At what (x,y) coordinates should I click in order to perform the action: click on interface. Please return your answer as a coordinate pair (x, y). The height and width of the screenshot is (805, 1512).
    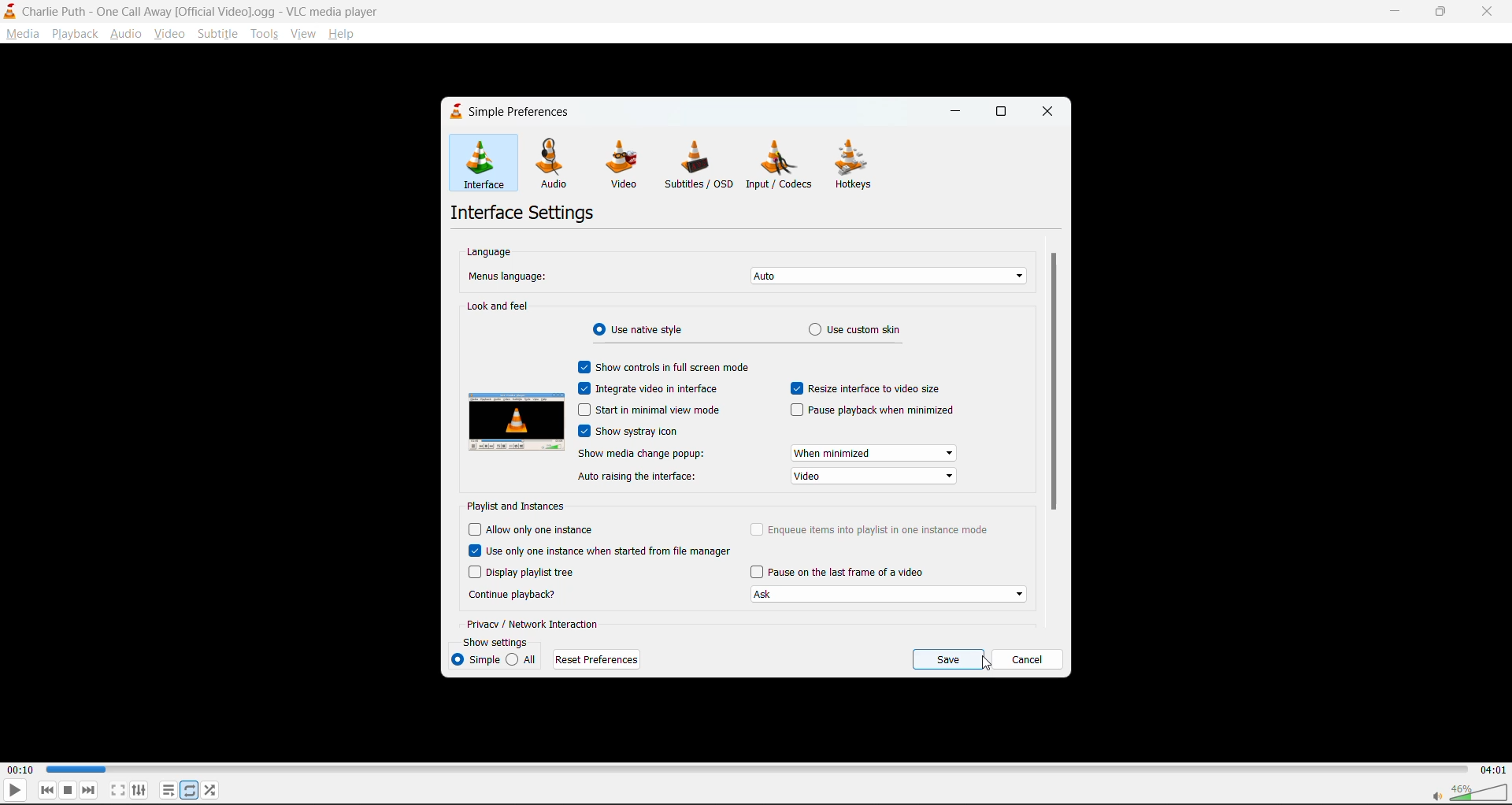
    Looking at the image, I should click on (476, 163).